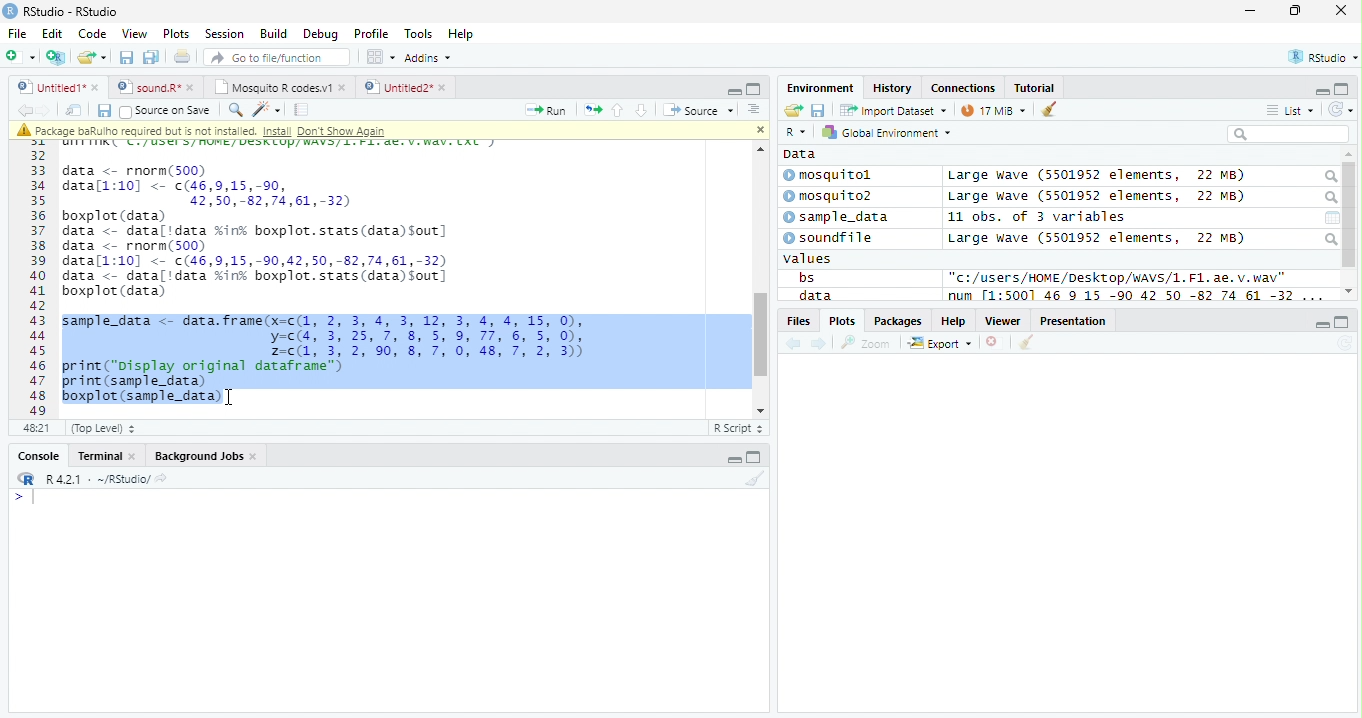 This screenshot has height=718, width=1362. Describe the element at coordinates (1290, 110) in the screenshot. I see `List` at that location.